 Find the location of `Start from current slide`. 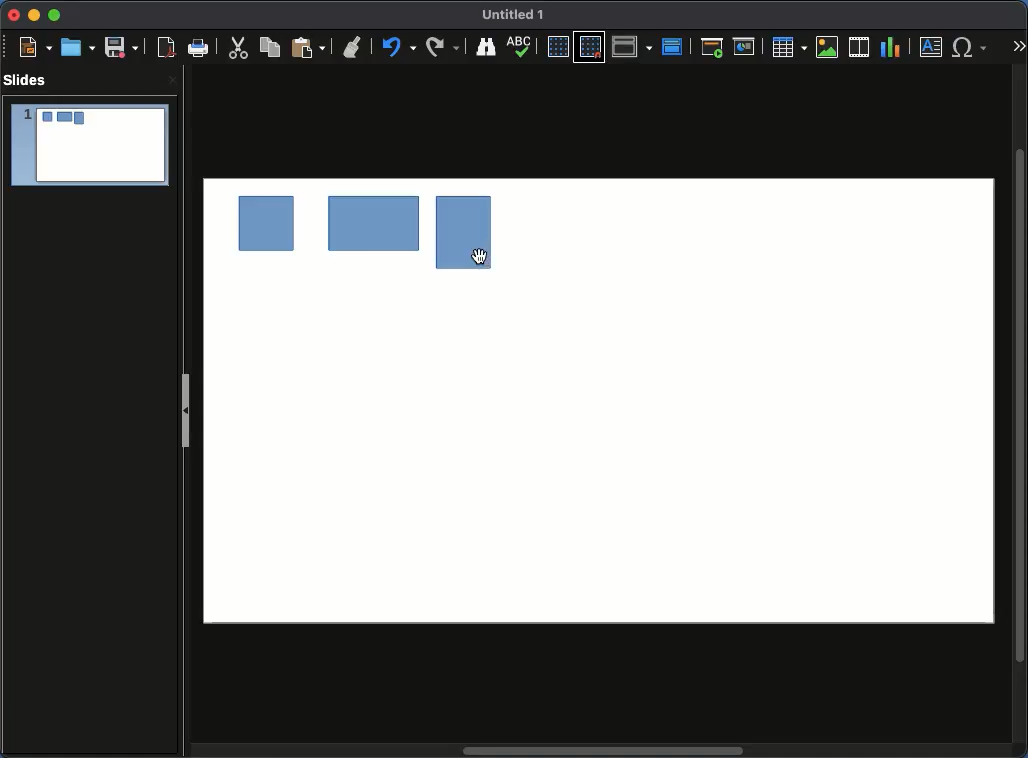

Start from current slide is located at coordinates (745, 48).